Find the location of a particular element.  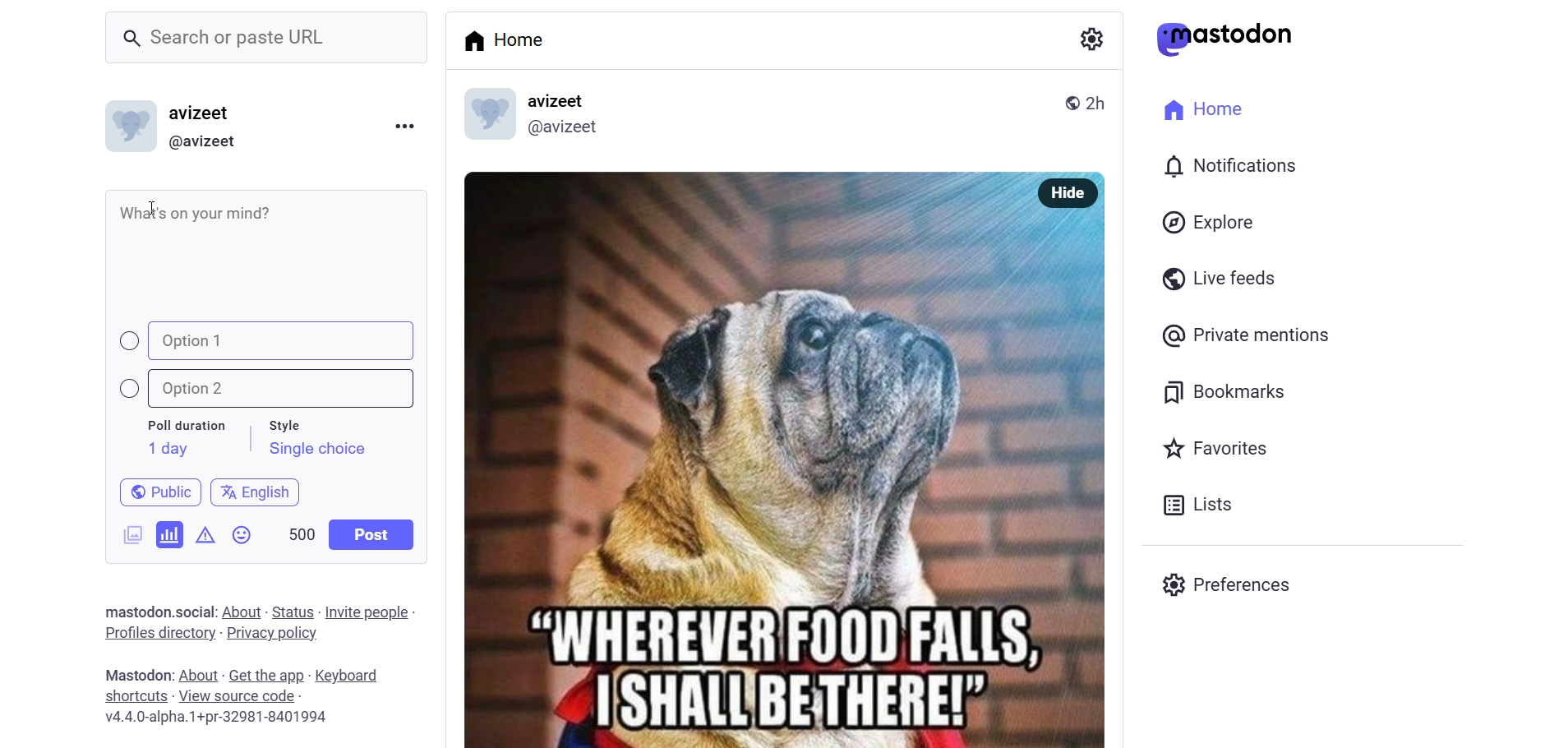

id is located at coordinates (126, 130).